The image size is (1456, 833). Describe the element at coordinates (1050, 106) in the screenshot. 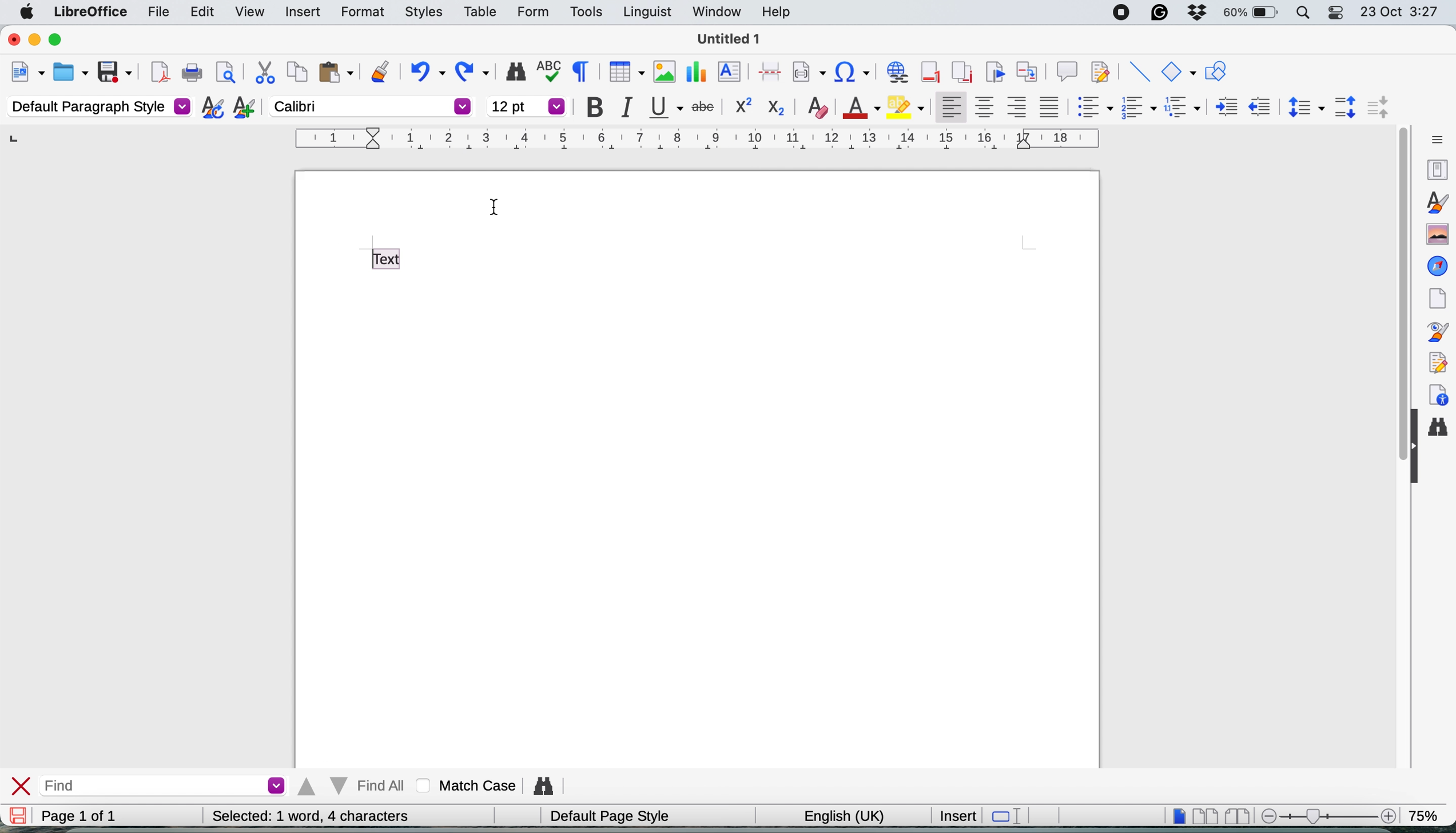

I see `justified` at that location.